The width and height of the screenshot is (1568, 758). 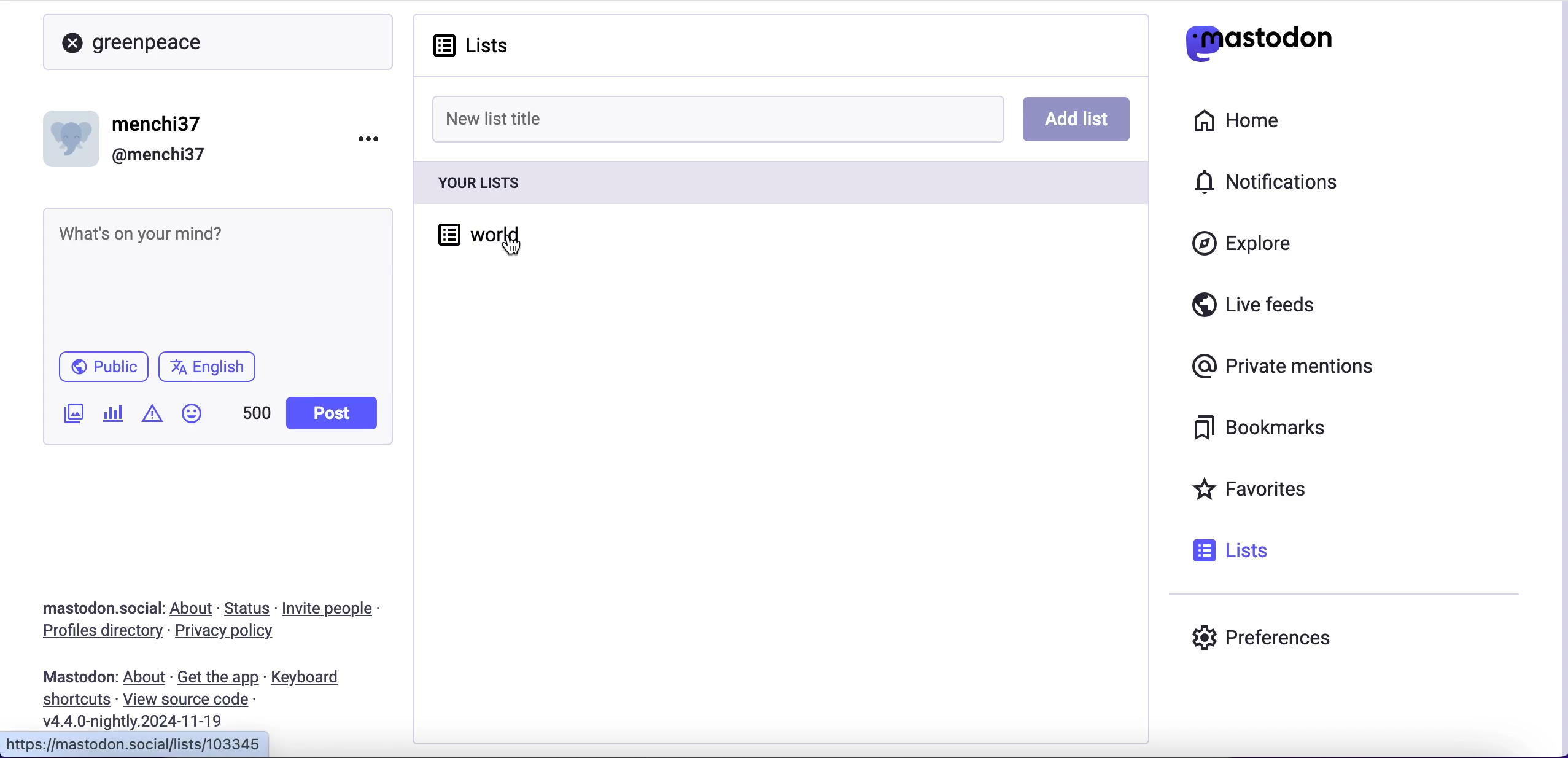 What do you see at coordinates (154, 44) in the screenshot?
I see `greenpeace` at bounding box center [154, 44].